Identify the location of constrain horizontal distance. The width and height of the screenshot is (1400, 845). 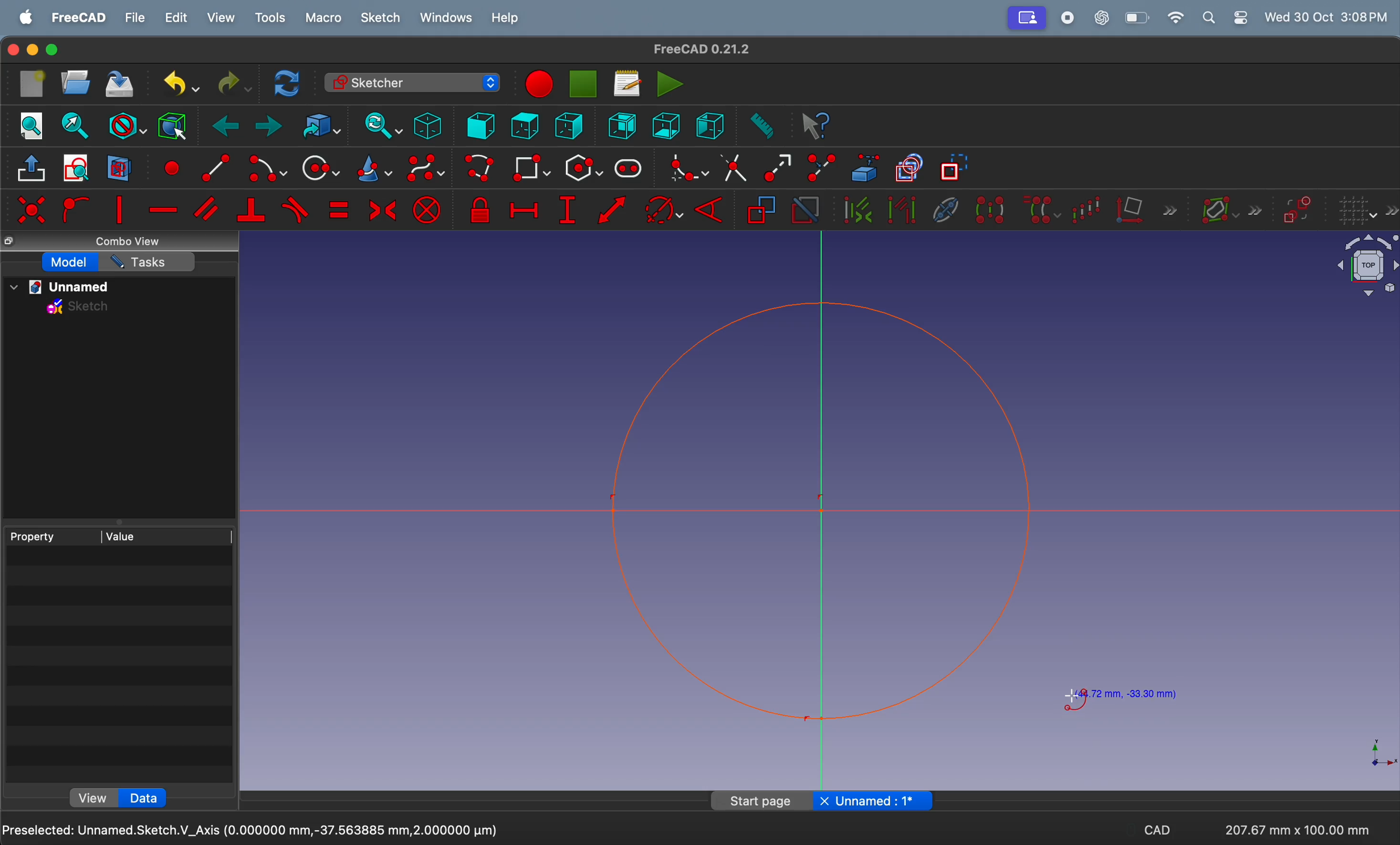
(523, 208).